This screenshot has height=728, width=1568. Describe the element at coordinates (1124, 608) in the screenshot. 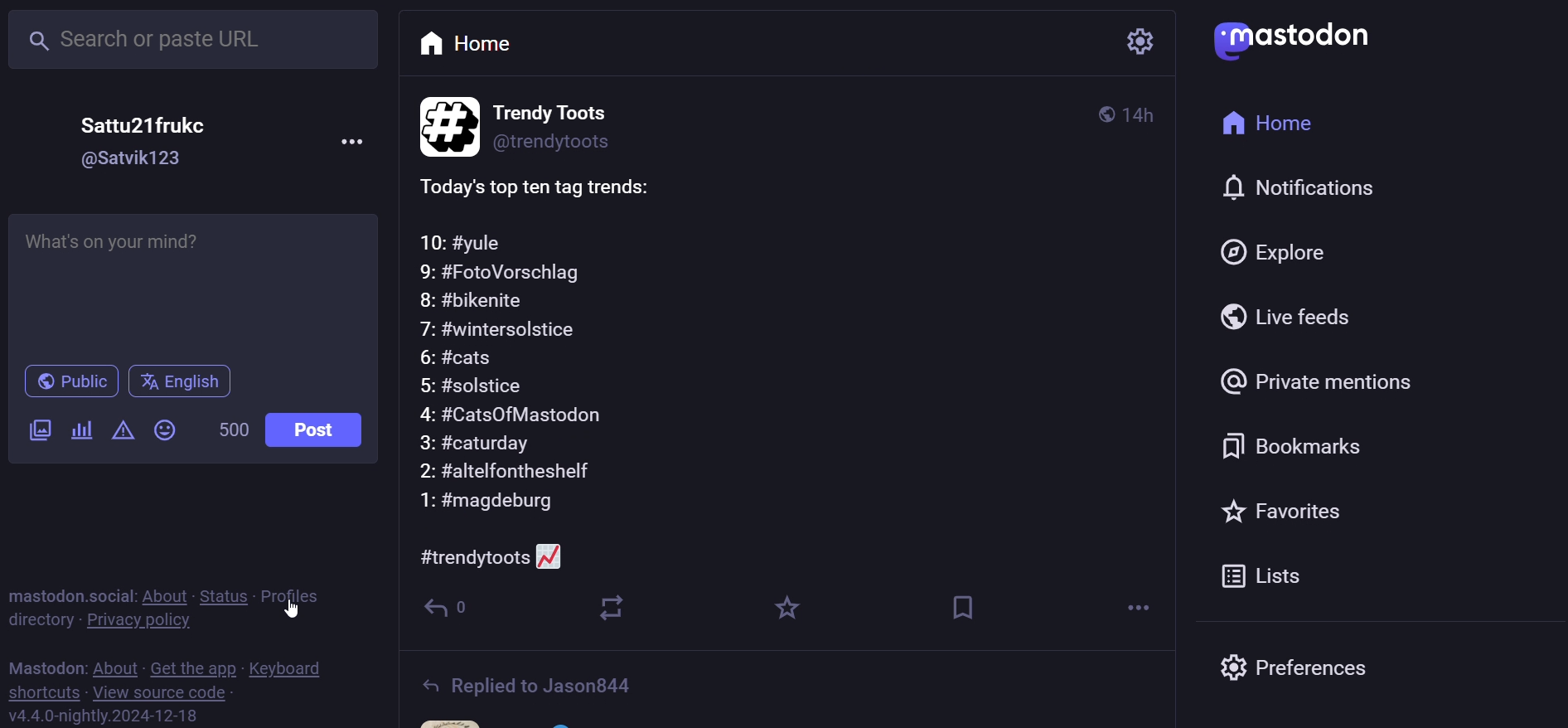

I see `more` at that location.